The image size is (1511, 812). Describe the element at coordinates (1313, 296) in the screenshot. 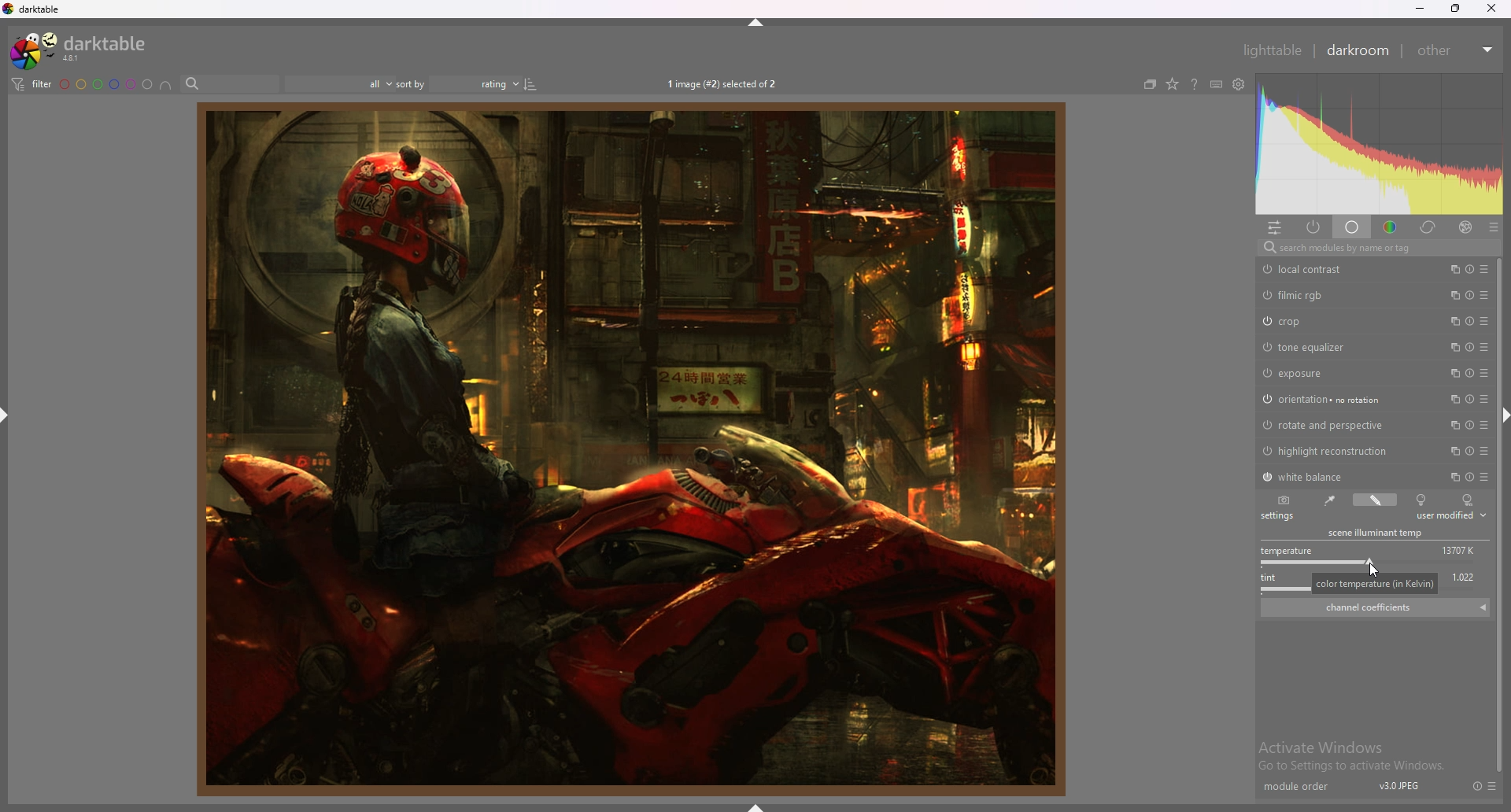

I see `filmic rgb` at that location.